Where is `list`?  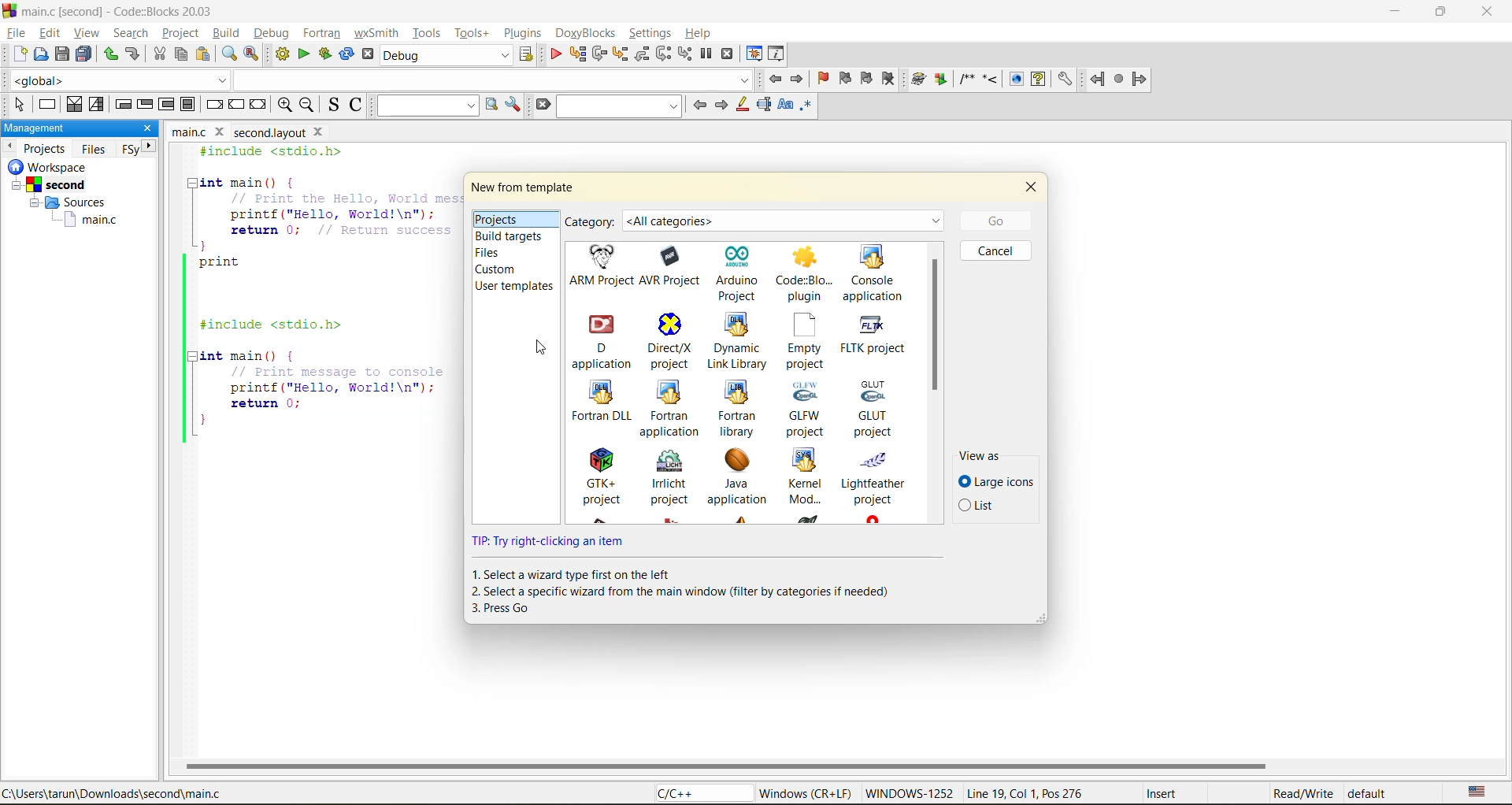 list is located at coordinates (984, 506).